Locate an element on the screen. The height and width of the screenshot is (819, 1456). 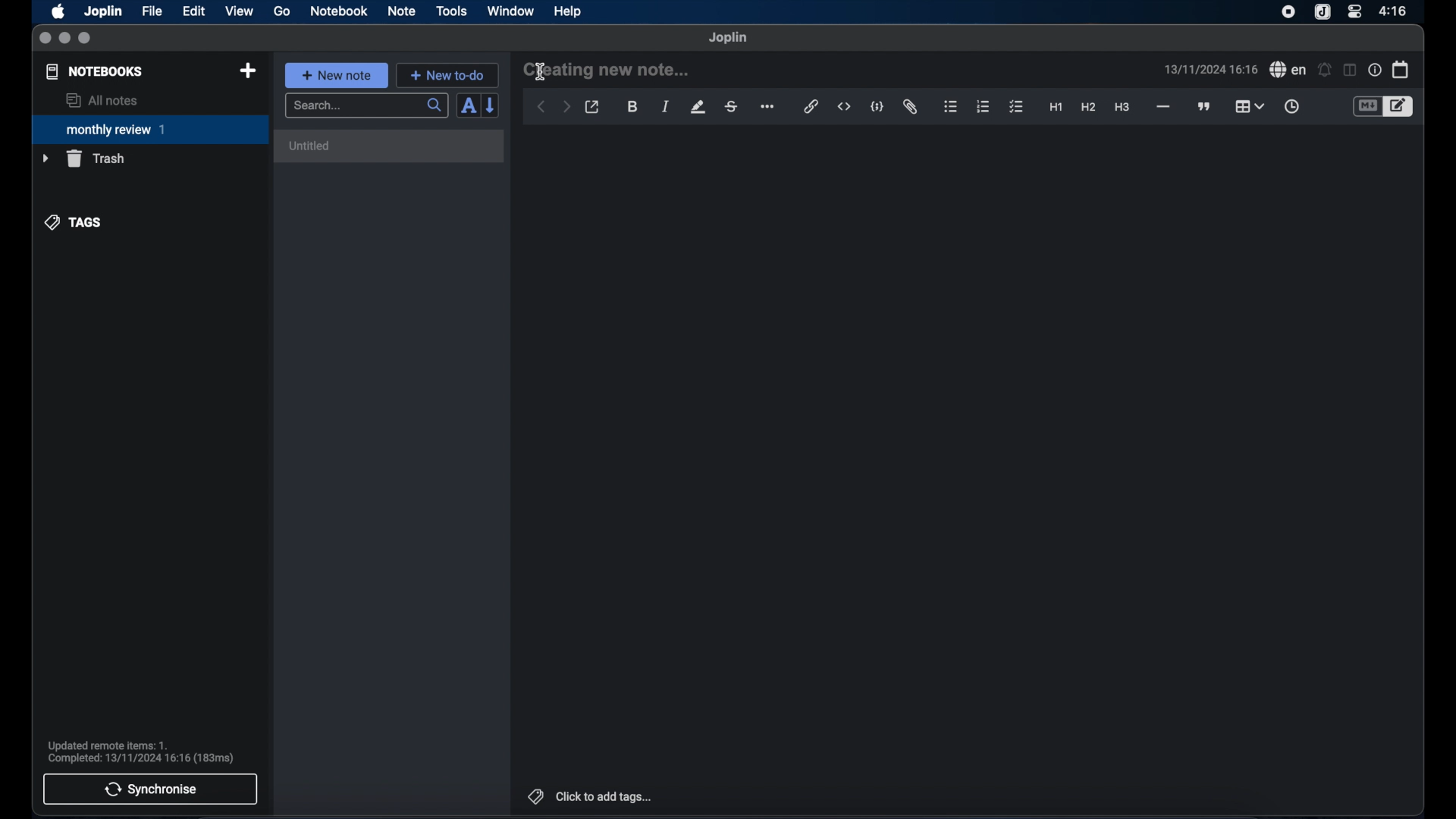
date is located at coordinates (1210, 69).